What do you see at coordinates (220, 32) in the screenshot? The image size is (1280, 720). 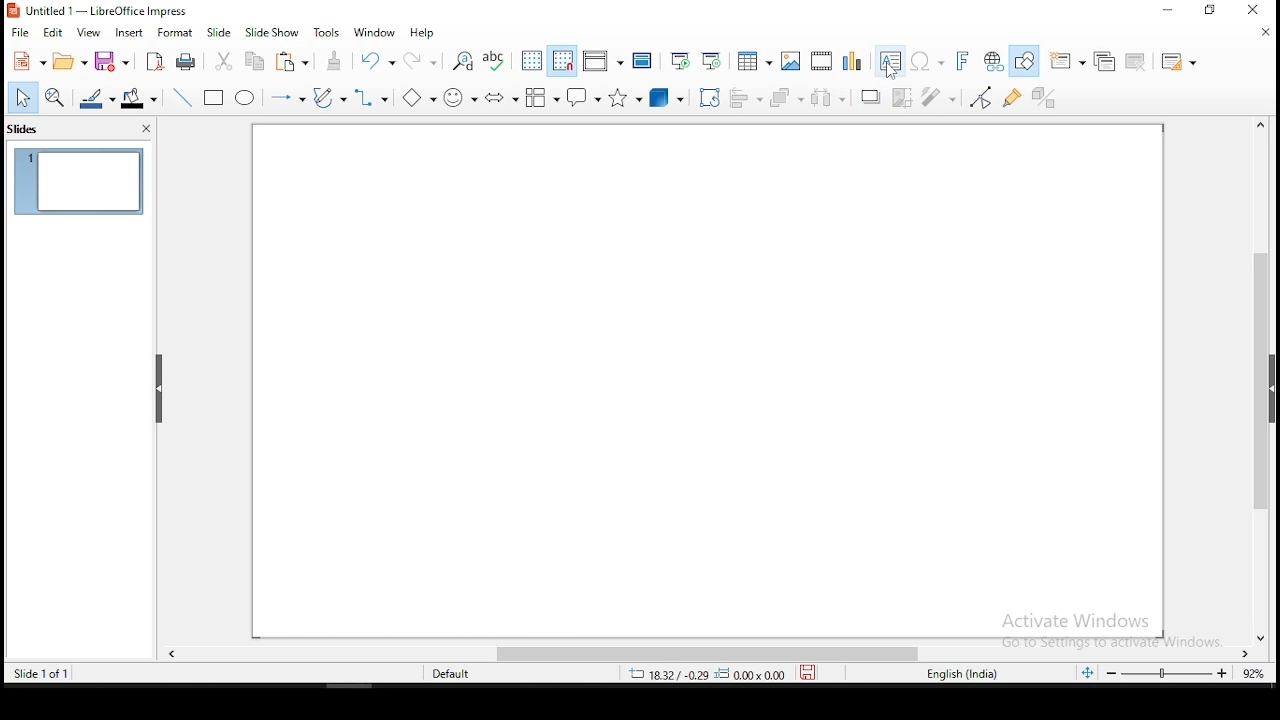 I see `slide show` at bounding box center [220, 32].